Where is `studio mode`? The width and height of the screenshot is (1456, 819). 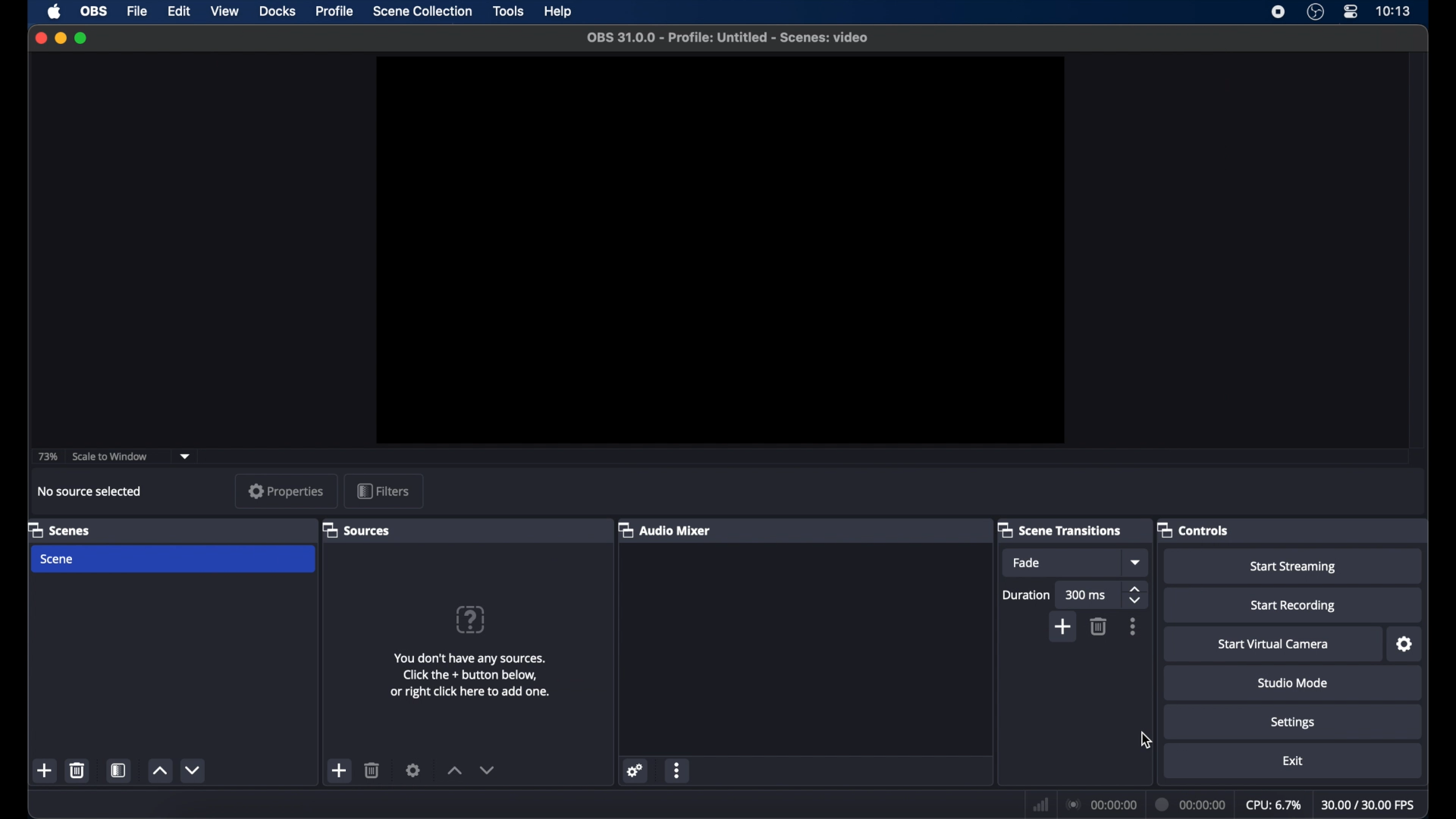
studio mode is located at coordinates (1293, 684).